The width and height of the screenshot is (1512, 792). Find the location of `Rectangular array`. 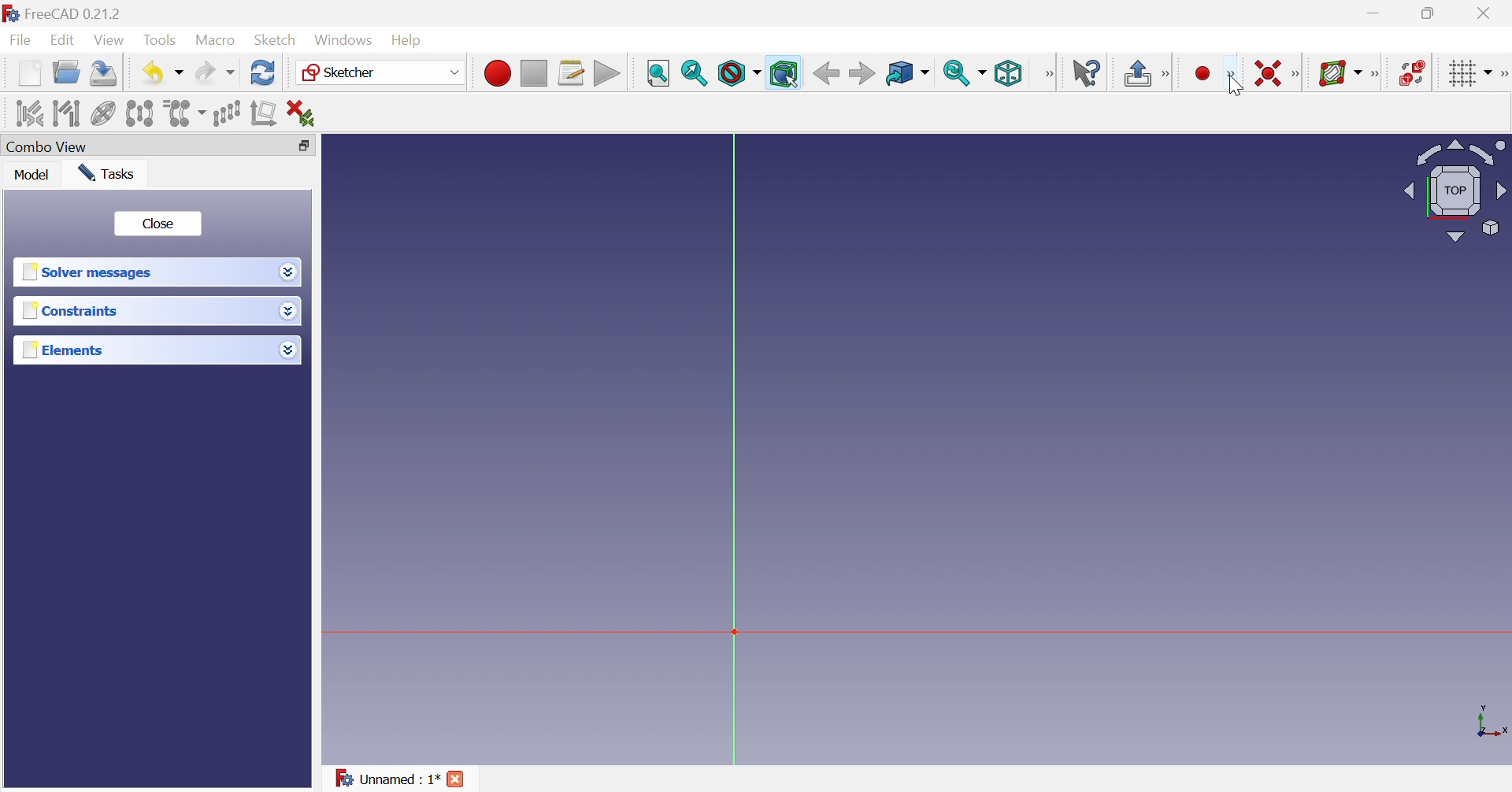

Rectangular array is located at coordinates (228, 114).